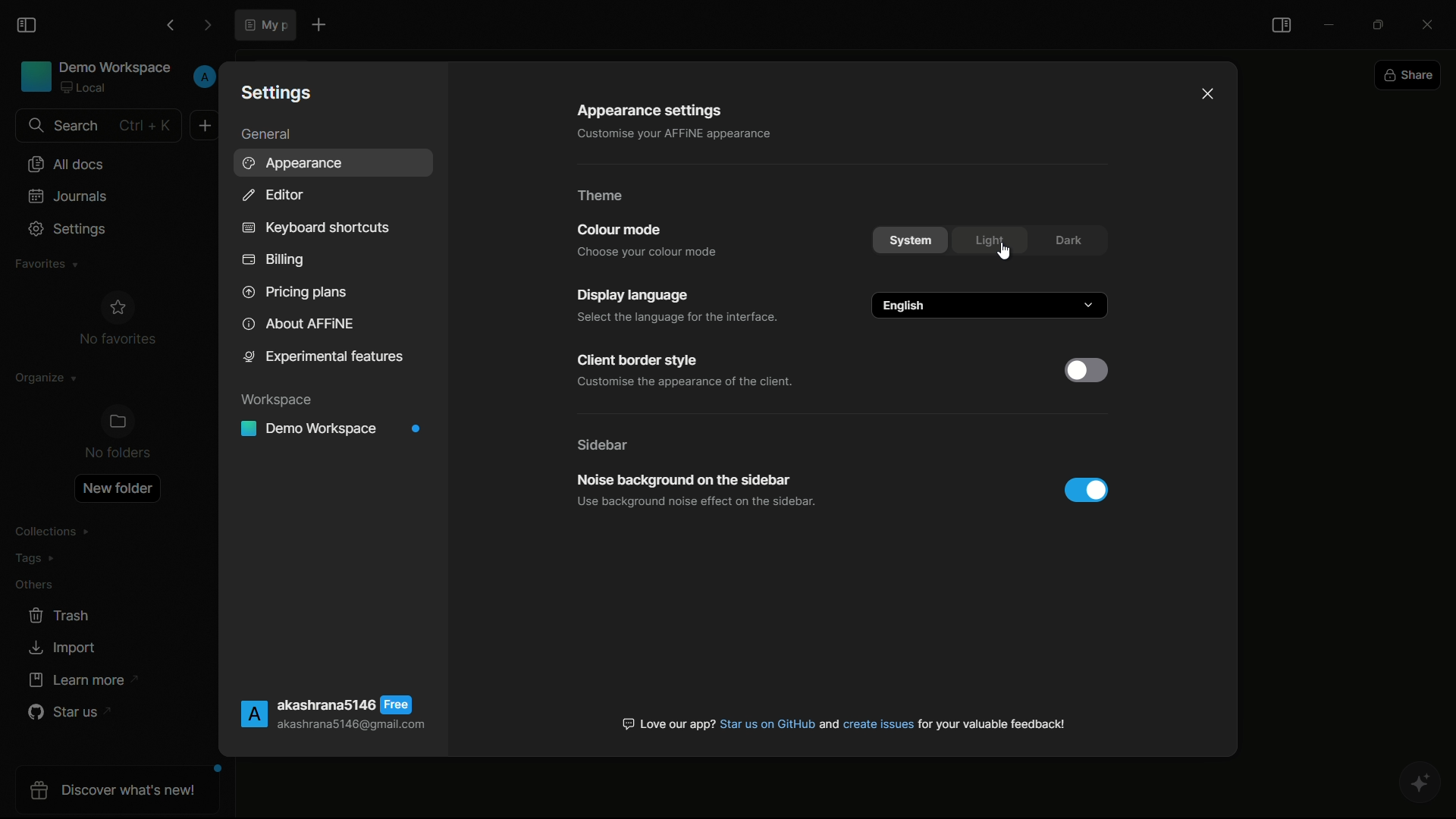 This screenshot has width=1456, height=819. What do you see at coordinates (52, 532) in the screenshot?
I see `collections` at bounding box center [52, 532].